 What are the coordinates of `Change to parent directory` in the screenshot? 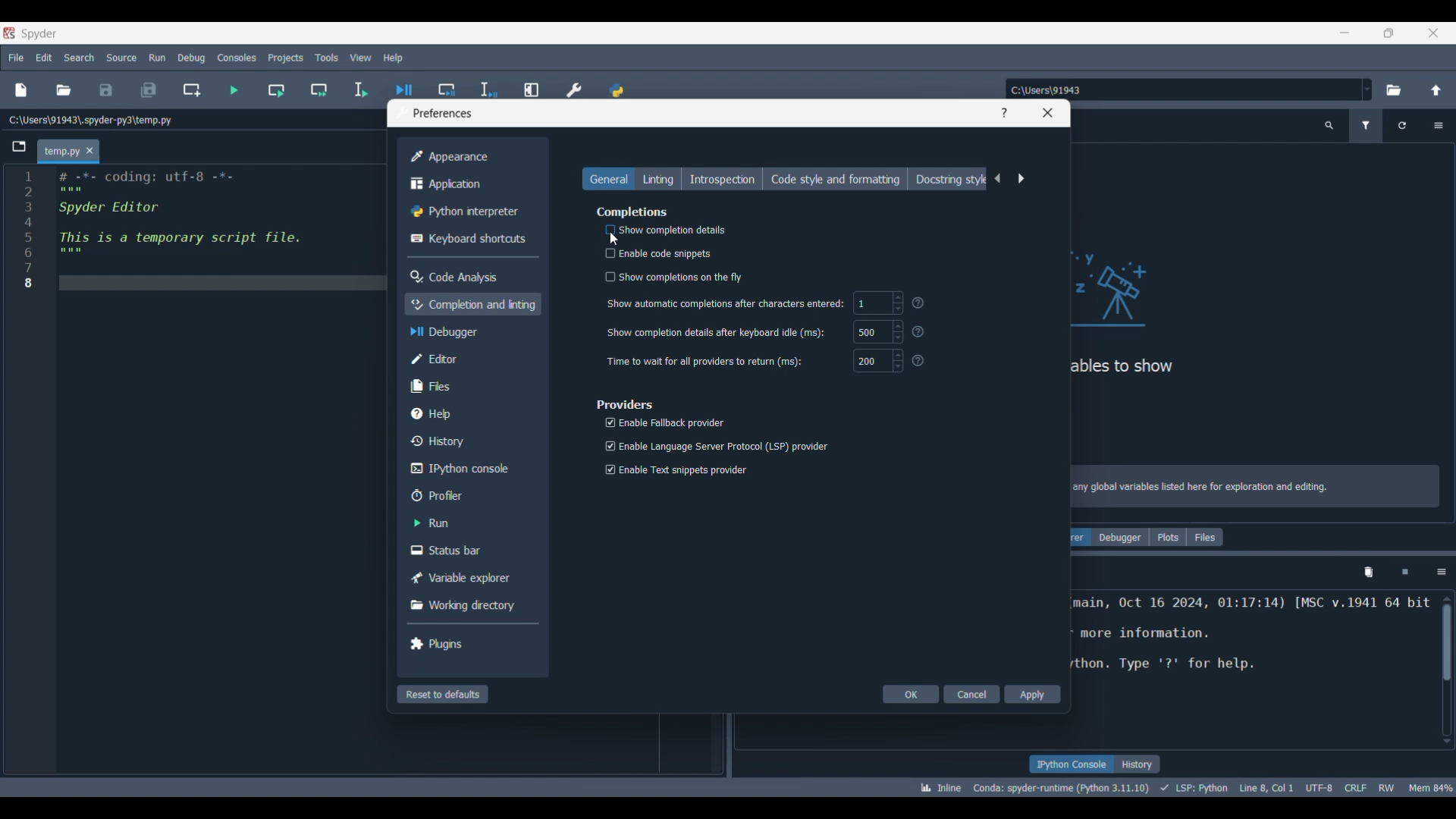 It's located at (1436, 90).